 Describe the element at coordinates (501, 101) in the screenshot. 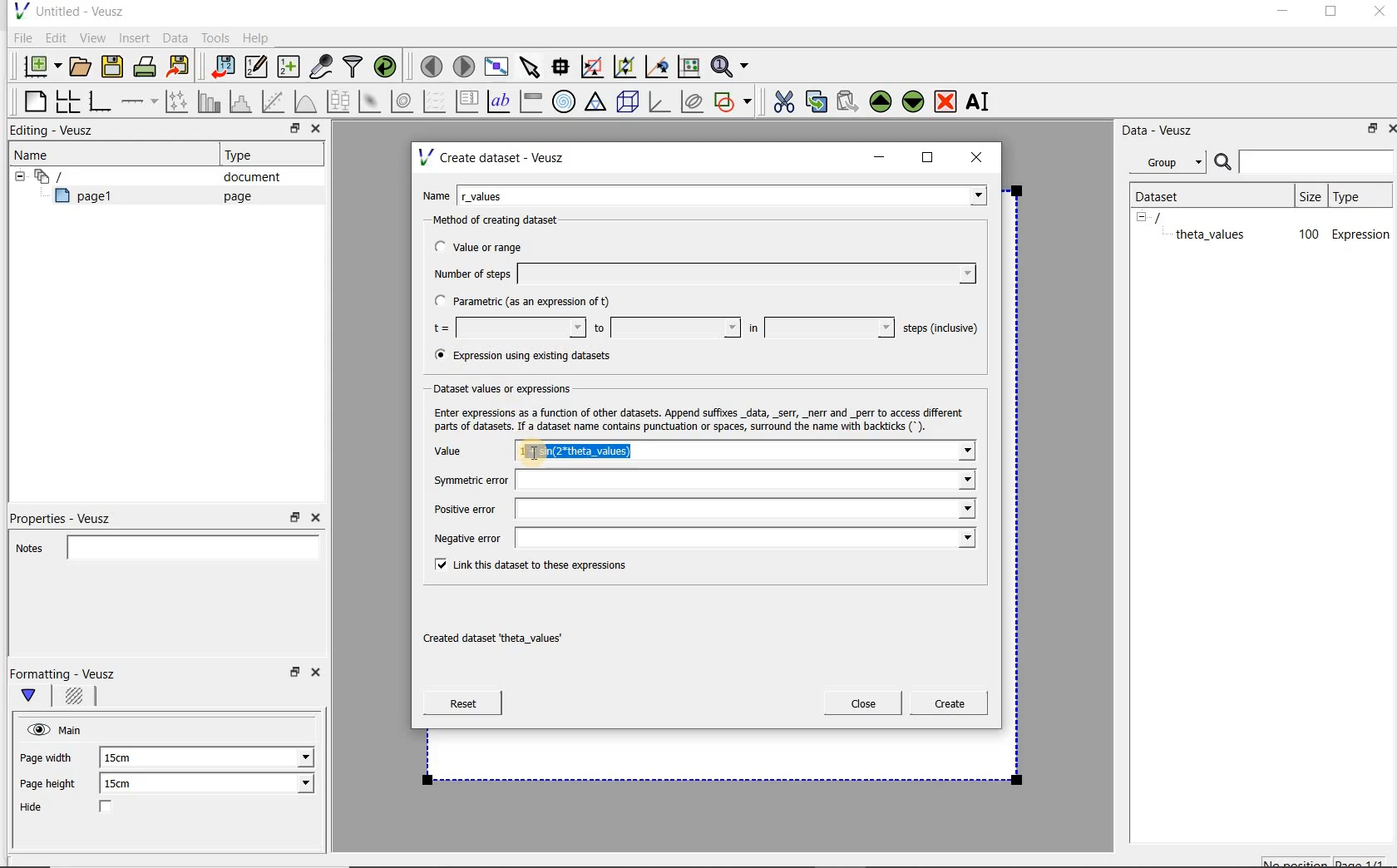

I see `text label` at that location.